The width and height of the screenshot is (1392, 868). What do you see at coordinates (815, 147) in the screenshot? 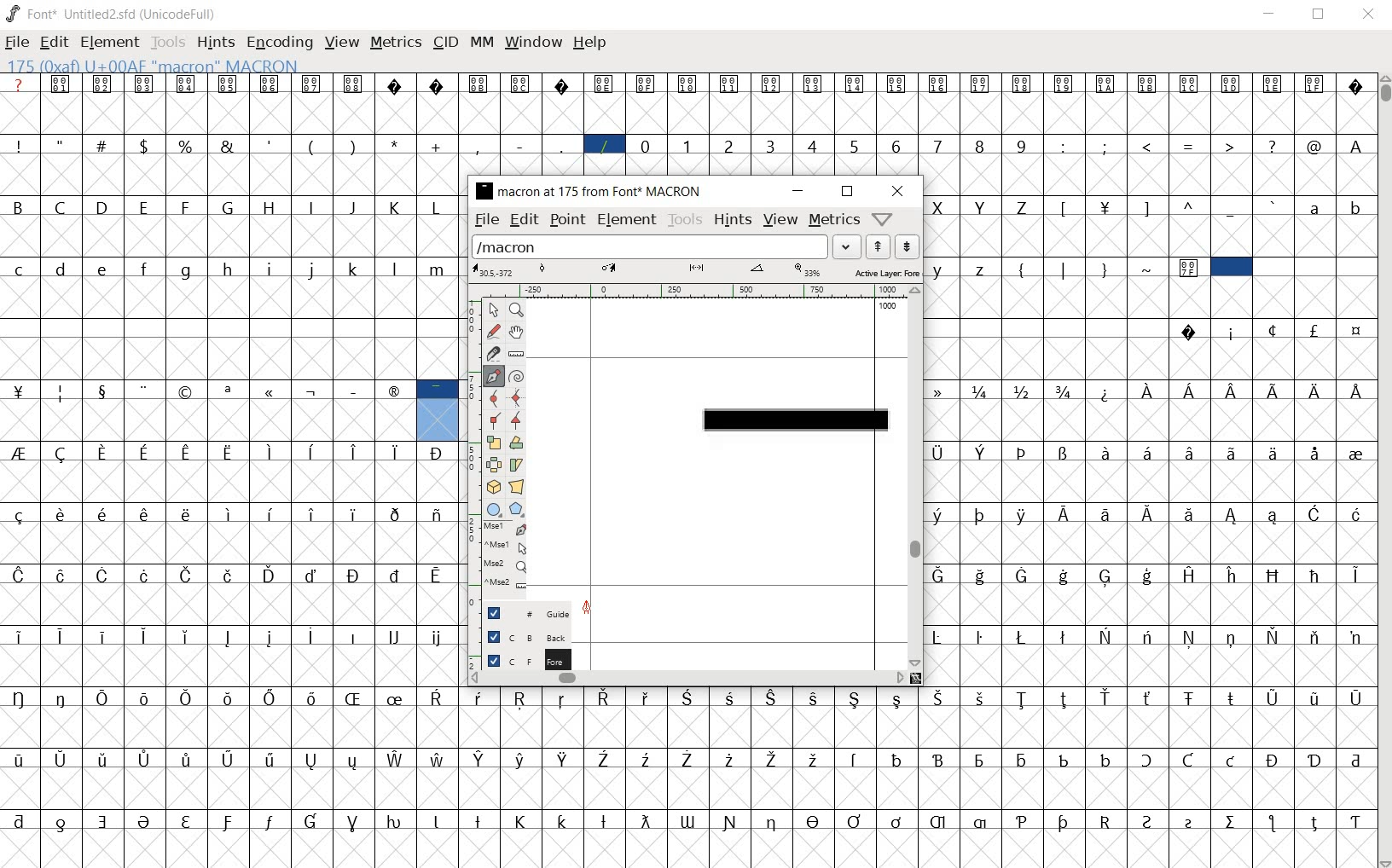
I see `4` at bounding box center [815, 147].